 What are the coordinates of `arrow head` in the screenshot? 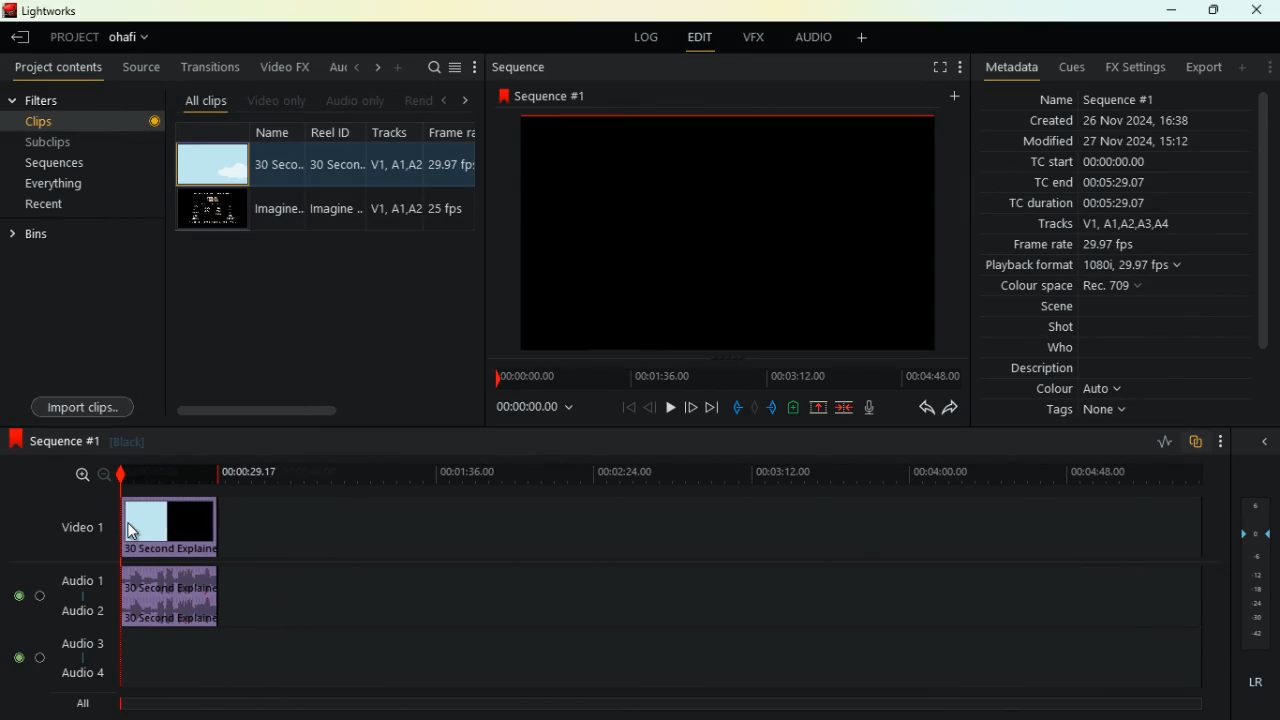 It's located at (1263, 442).